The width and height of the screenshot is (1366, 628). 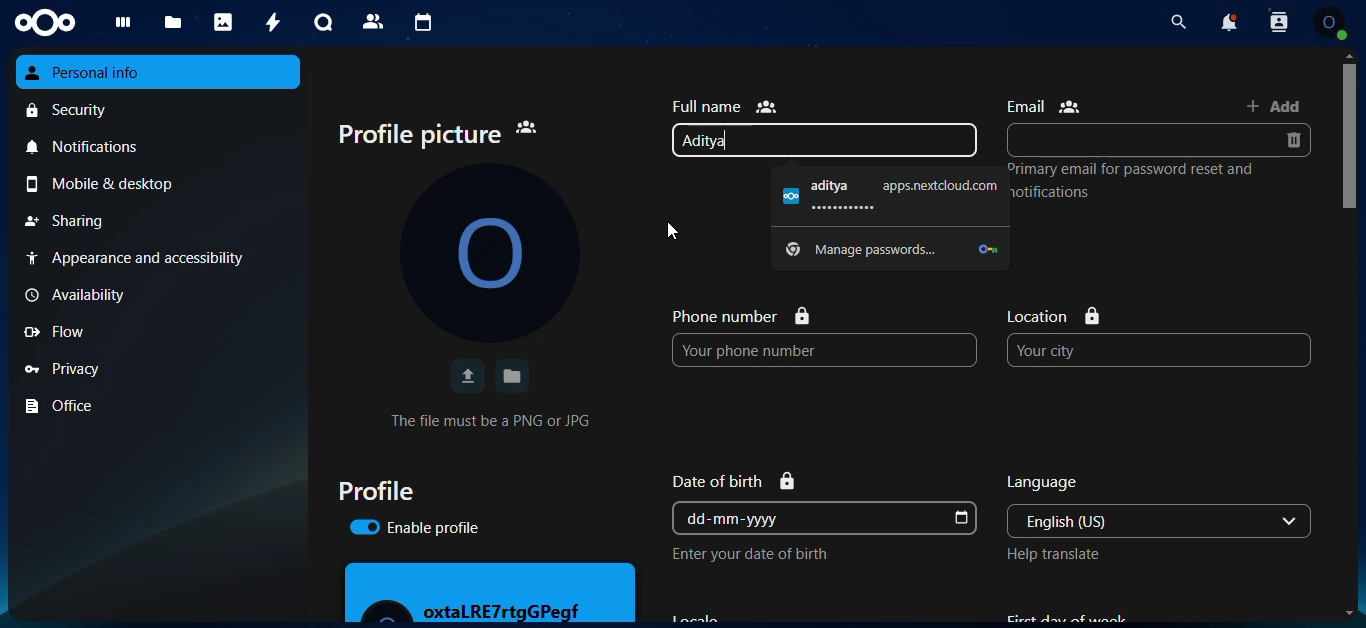 I want to click on Your phone number, so click(x=825, y=350).